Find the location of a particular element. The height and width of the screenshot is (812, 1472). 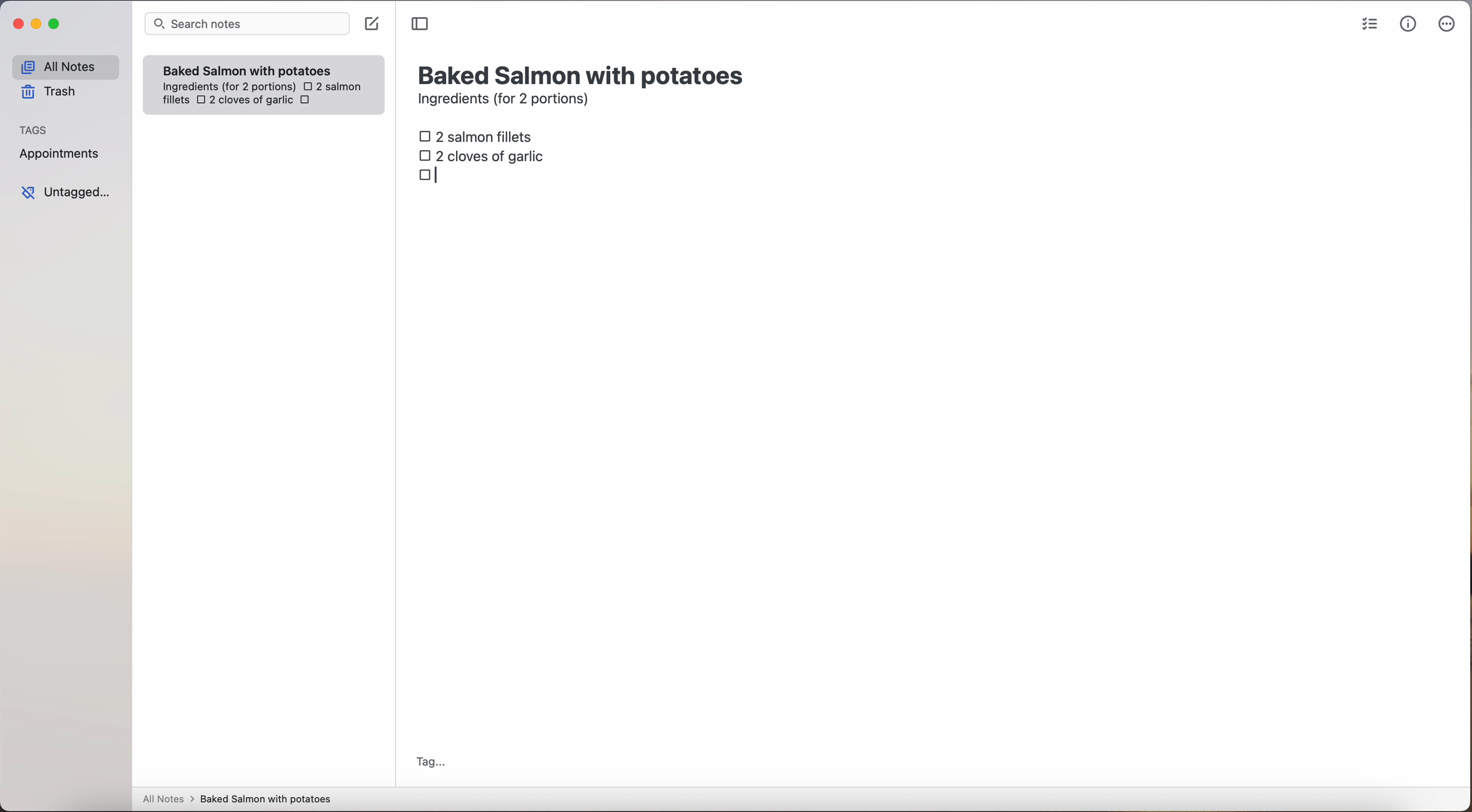

minimize Simplenote is located at coordinates (36, 25).